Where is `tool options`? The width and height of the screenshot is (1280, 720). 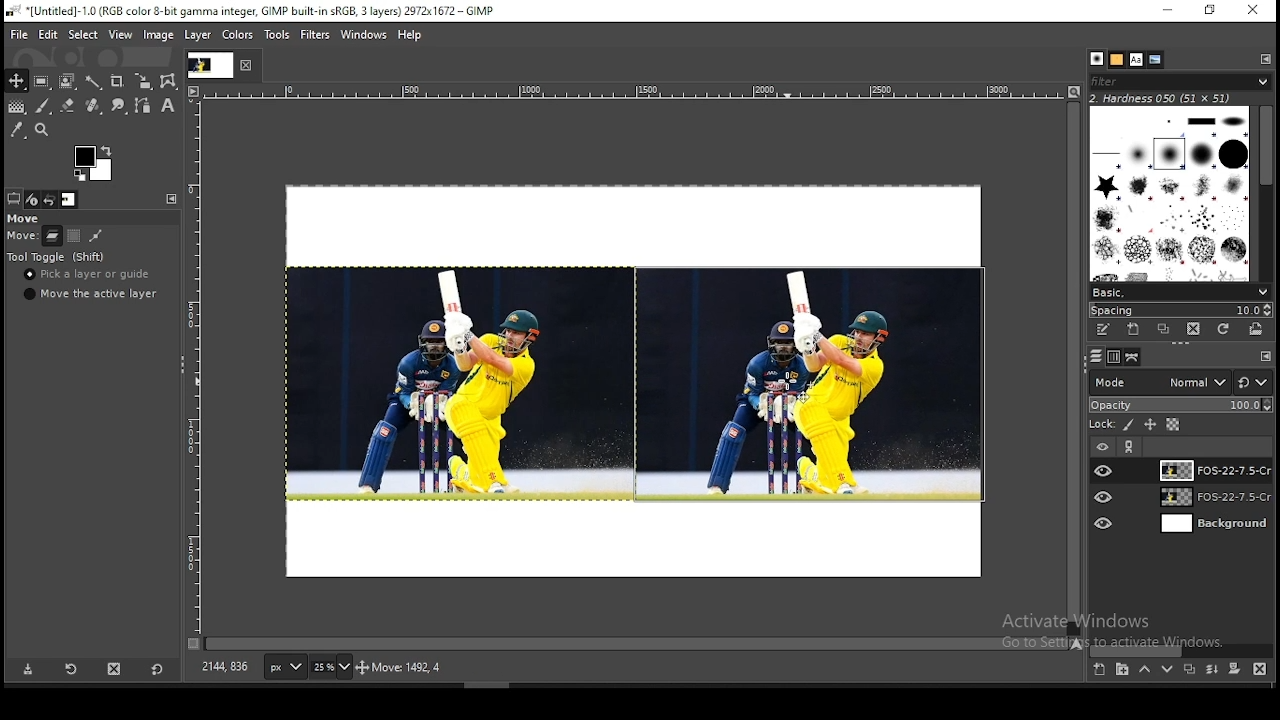
tool options is located at coordinates (14, 198).